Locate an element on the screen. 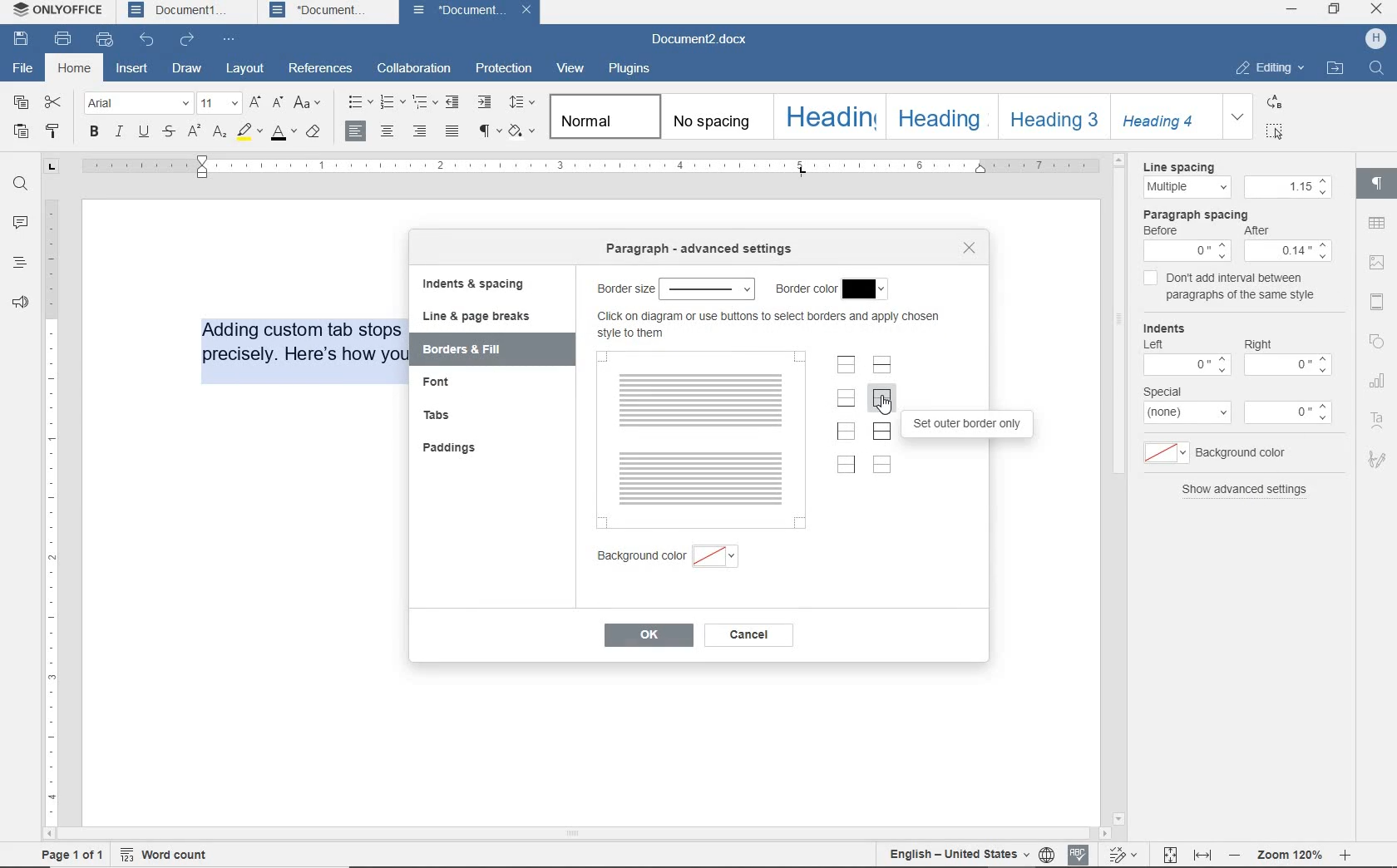 Image resolution: width=1397 pixels, height=868 pixels. highlight color is located at coordinates (249, 133).